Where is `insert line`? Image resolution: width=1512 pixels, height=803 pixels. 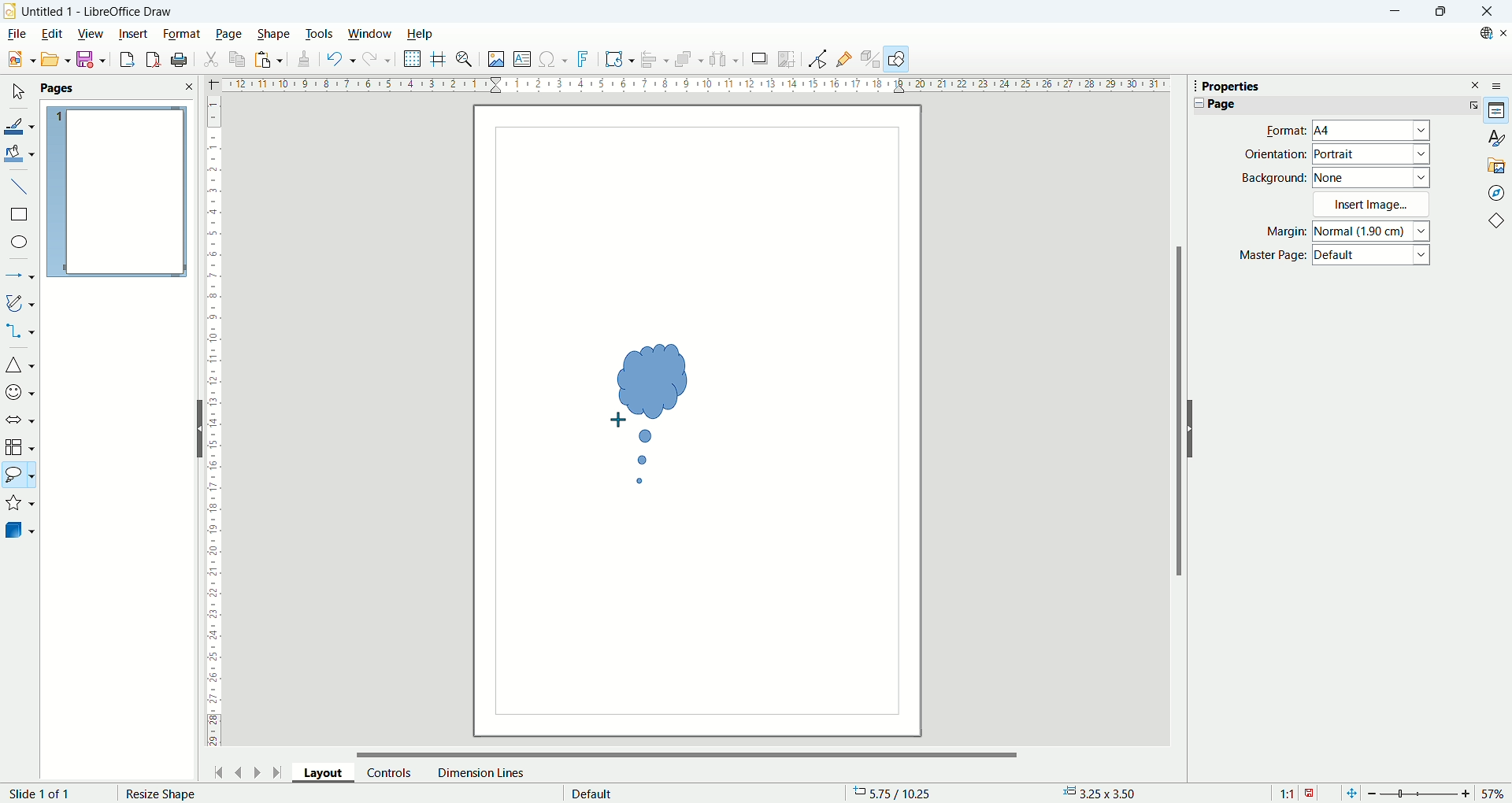
insert line is located at coordinates (19, 185).